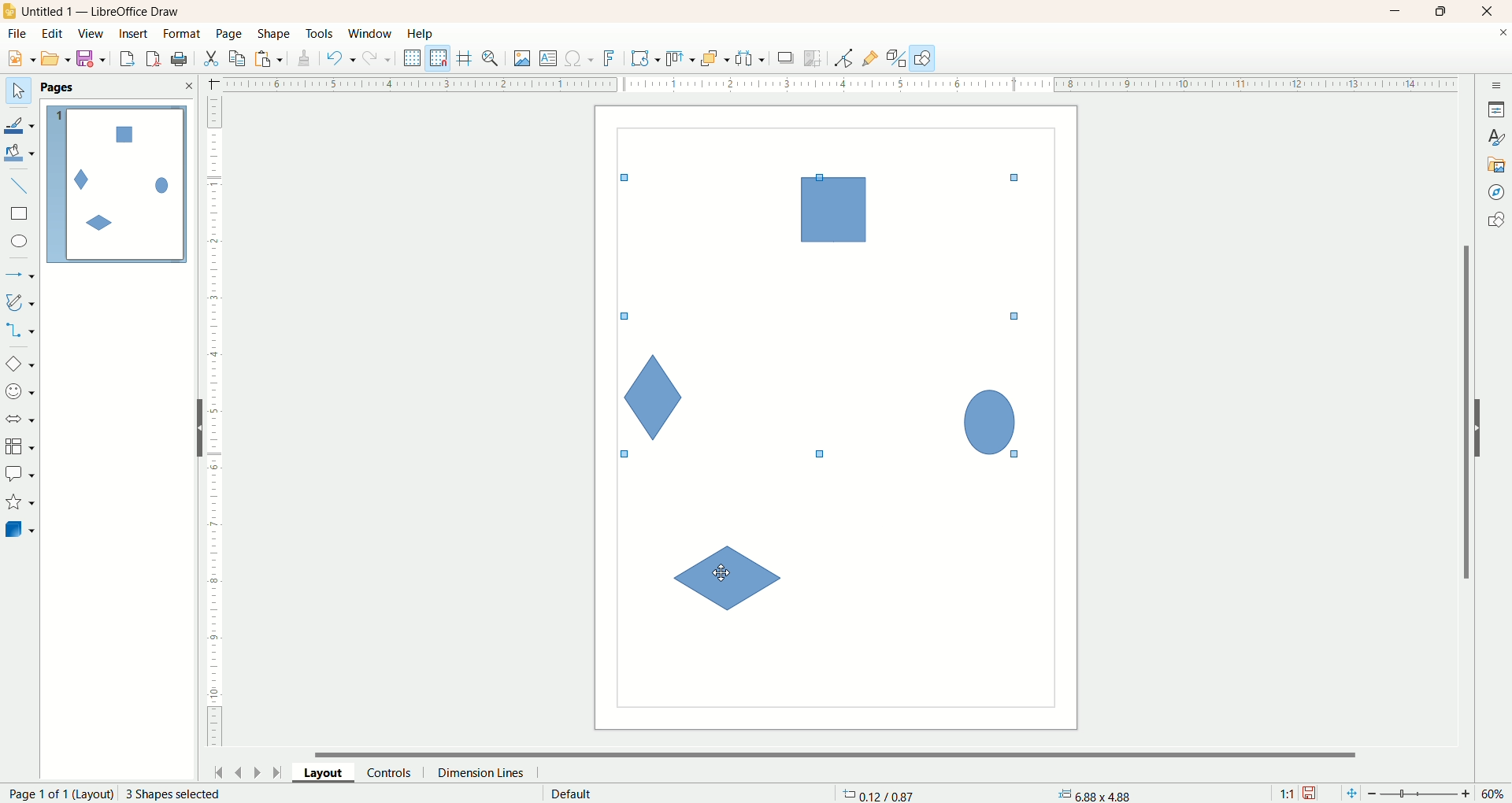 This screenshot has width=1512, height=803. Describe the element at coordinates (21, 243) in the screenshot. I see `ellipse` at that location.